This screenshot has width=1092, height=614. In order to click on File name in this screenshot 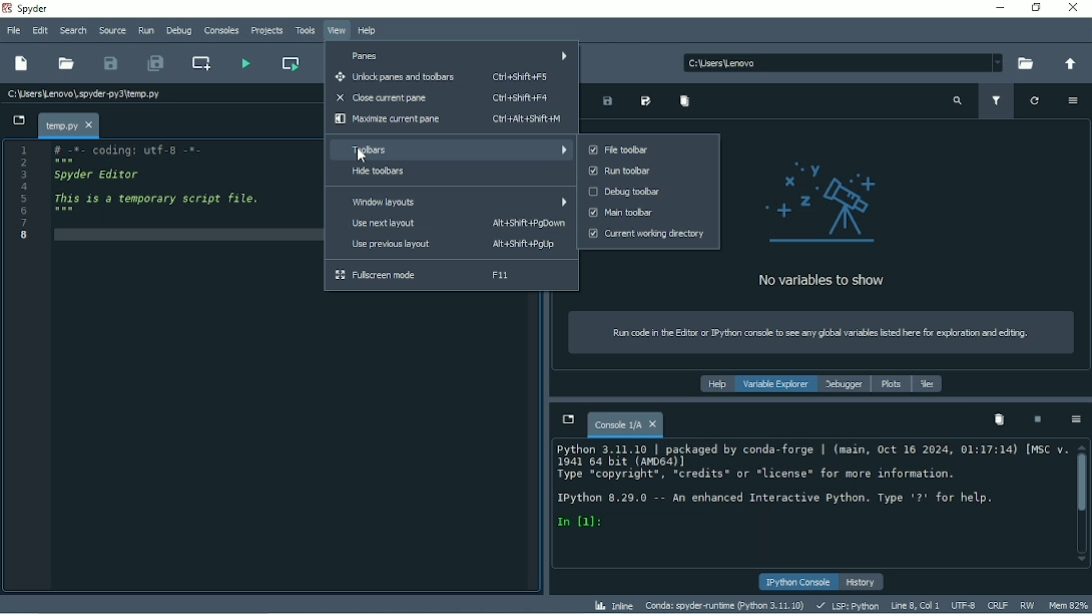, I will do `click(67, 125)`.